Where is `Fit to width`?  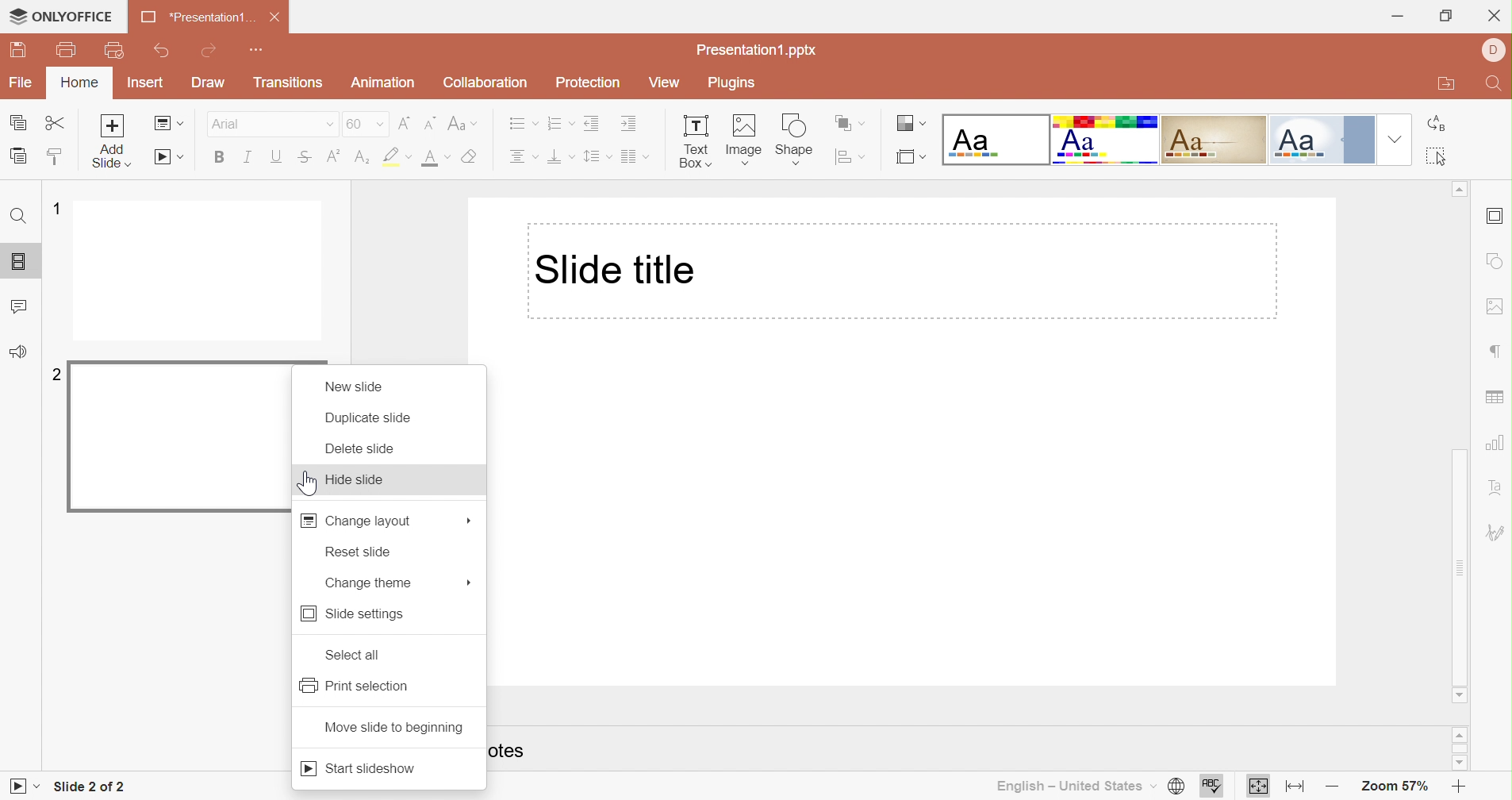 Fit to width is located at coordinates (1292, 787).